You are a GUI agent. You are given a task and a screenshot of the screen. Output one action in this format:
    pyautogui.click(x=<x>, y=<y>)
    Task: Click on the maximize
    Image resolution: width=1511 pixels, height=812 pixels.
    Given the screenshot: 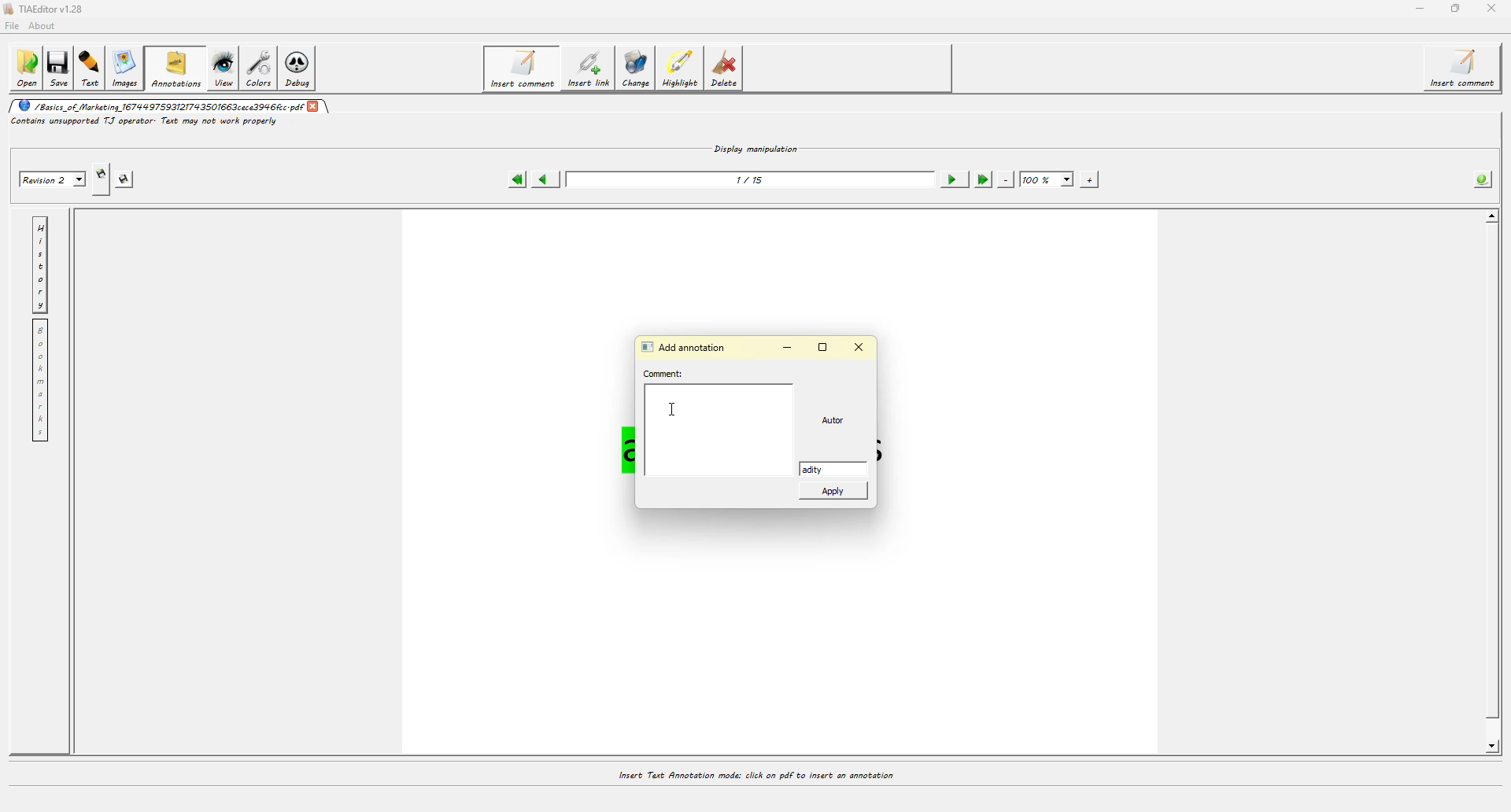 What is the action you would take?
    pyautogui.click(x=825, y=347)
    